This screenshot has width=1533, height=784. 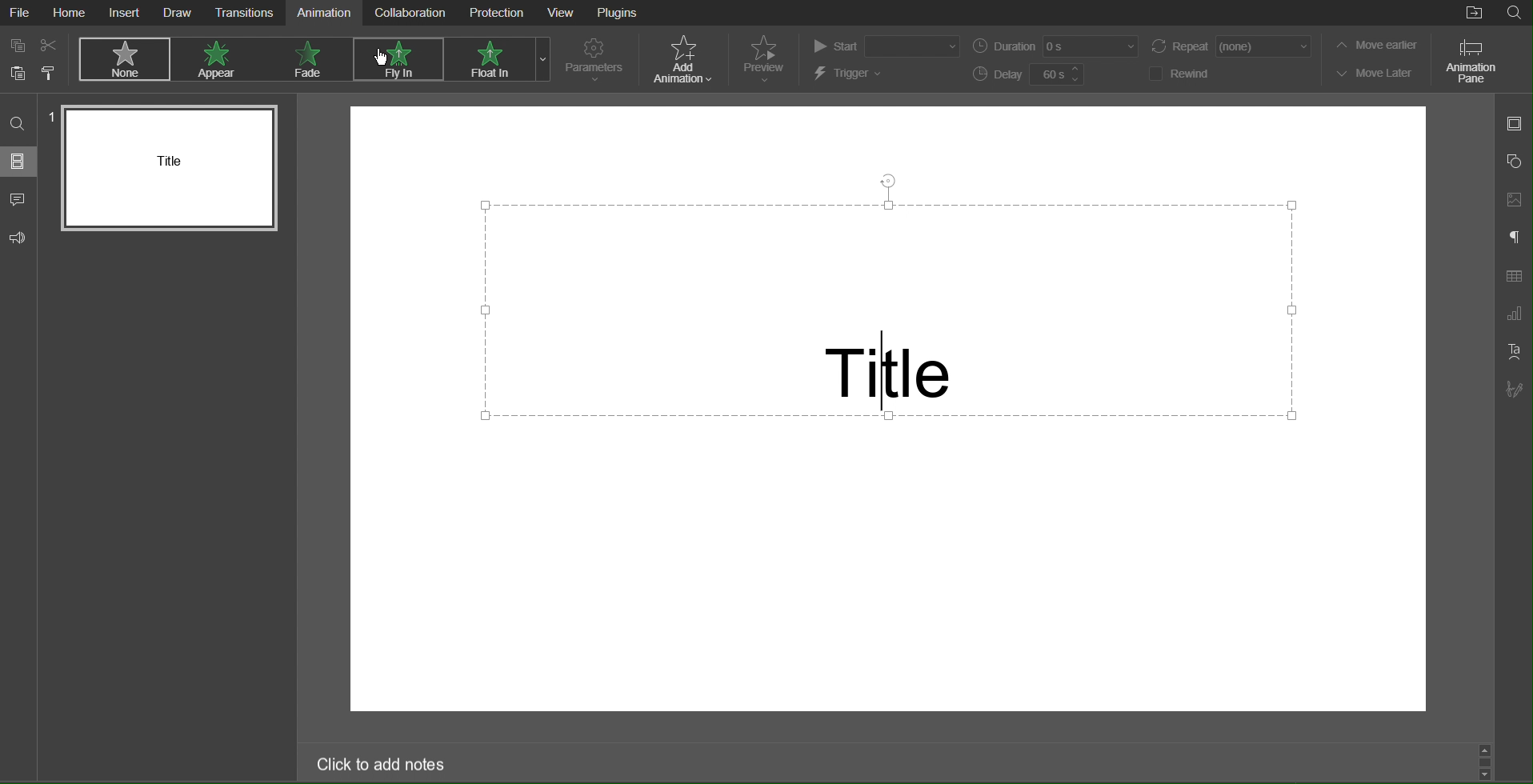 What do you see at coordinates (1053, 46) in the screenshot?
I see `Duration` at bounding box center [1053, 46].